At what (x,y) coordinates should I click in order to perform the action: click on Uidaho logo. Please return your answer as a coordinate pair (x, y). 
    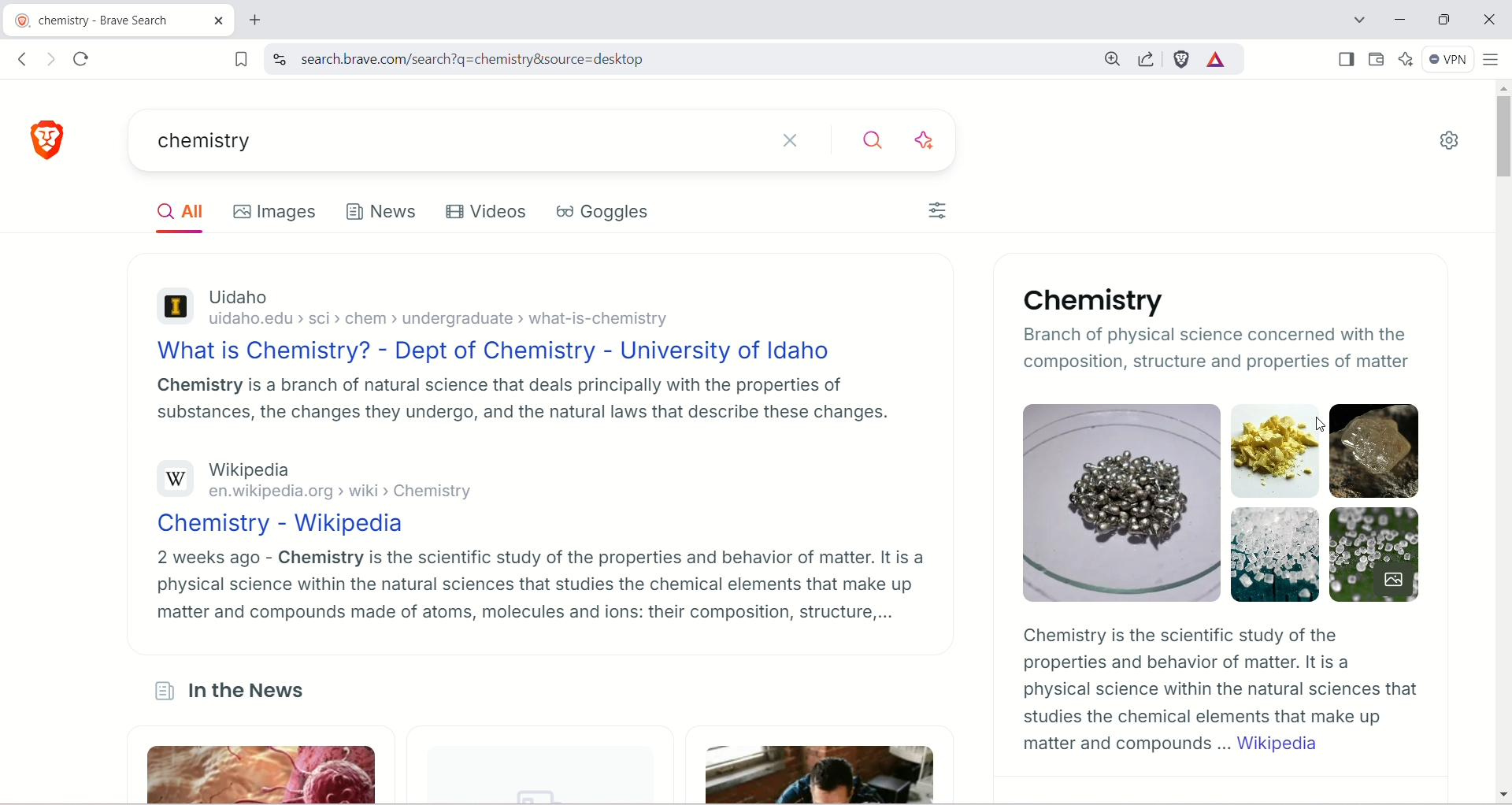
    Looking at the image, I should click on (176, 306).